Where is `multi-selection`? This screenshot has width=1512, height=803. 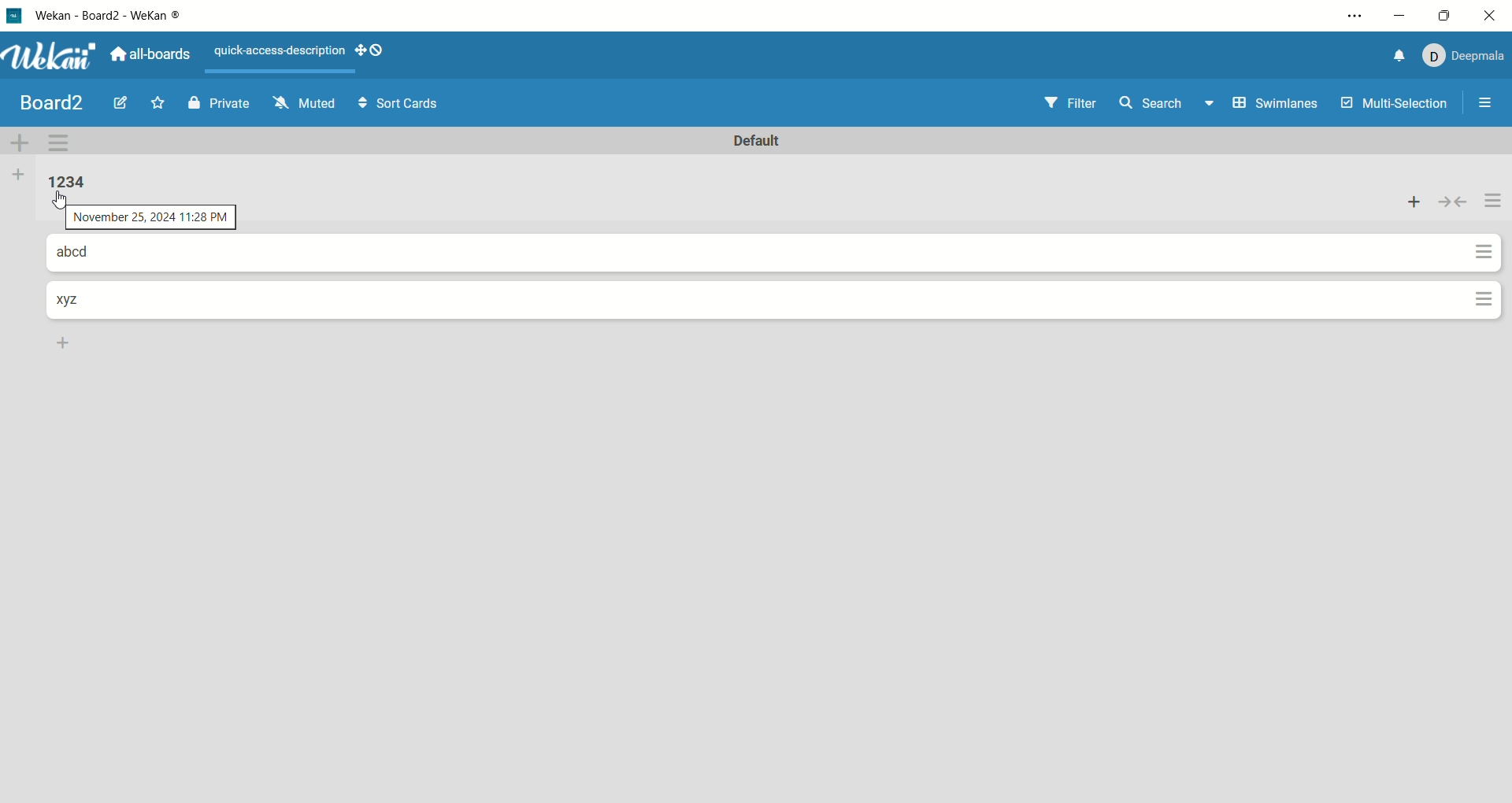 multi-selection is located at coordinates (1395, 105).